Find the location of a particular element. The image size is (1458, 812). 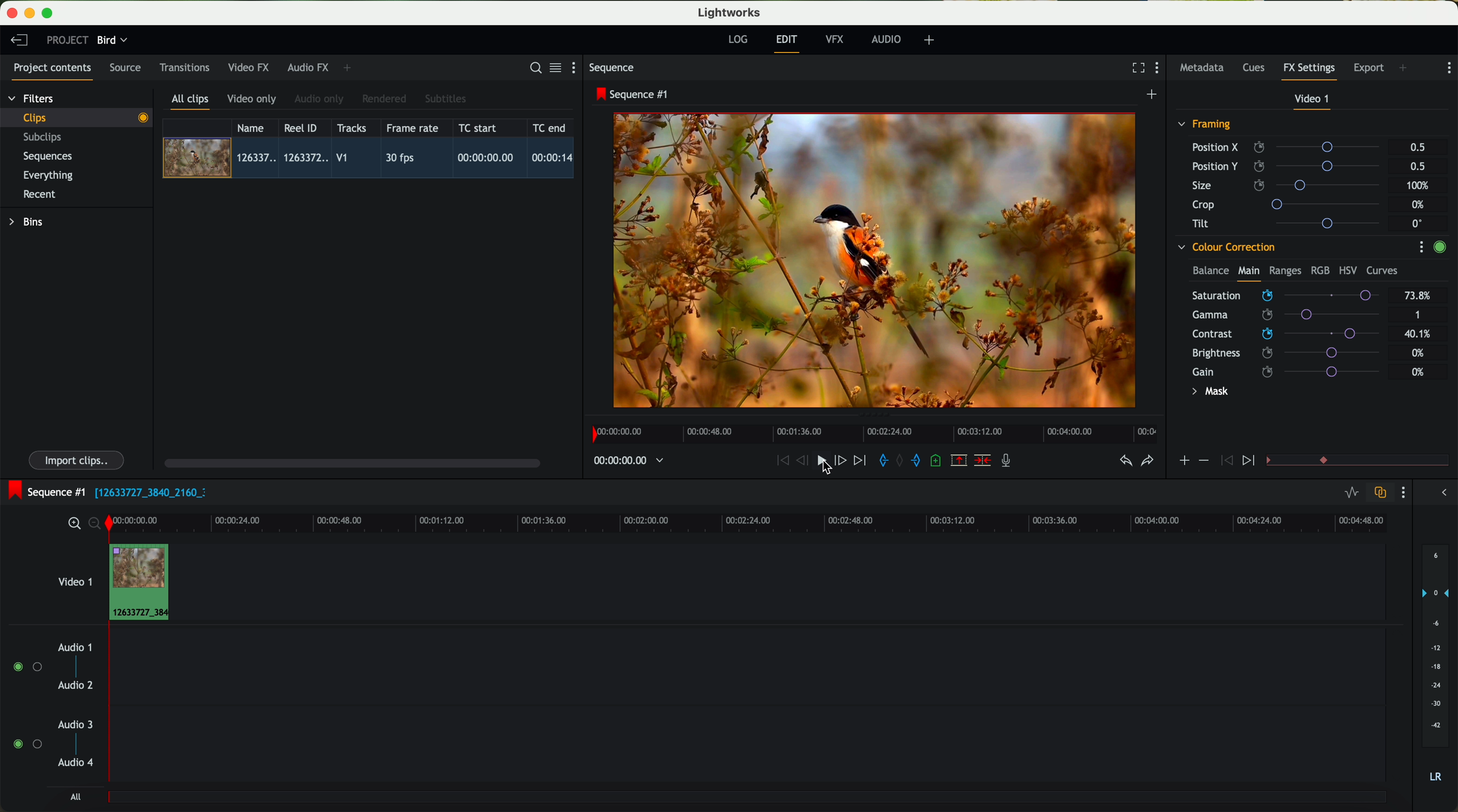

show/hide the full audio mix is located at coordinates (1440, 493).